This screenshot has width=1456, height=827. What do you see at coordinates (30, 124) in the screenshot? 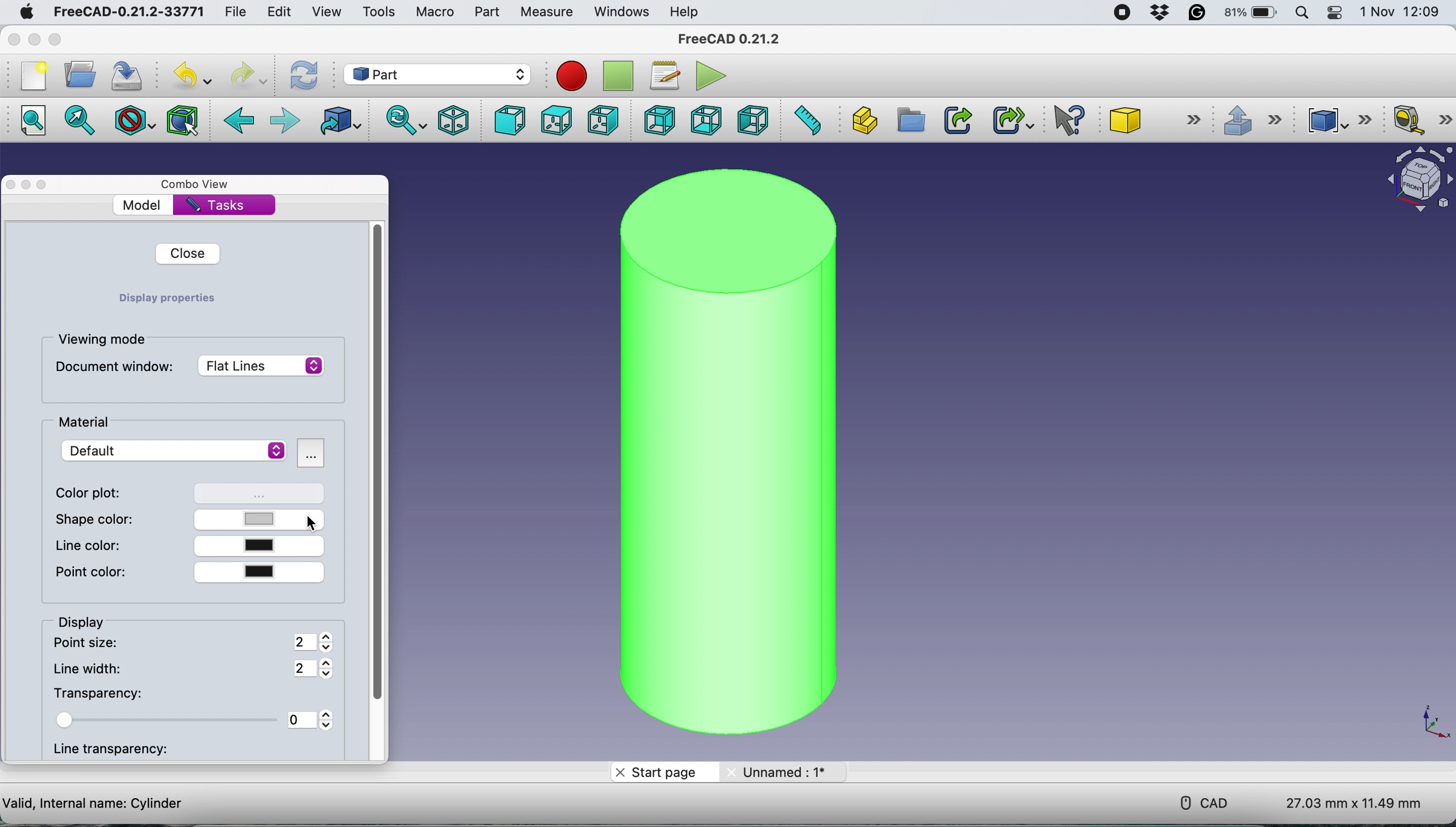
I see `fit all` at bounding box center [30, 124].